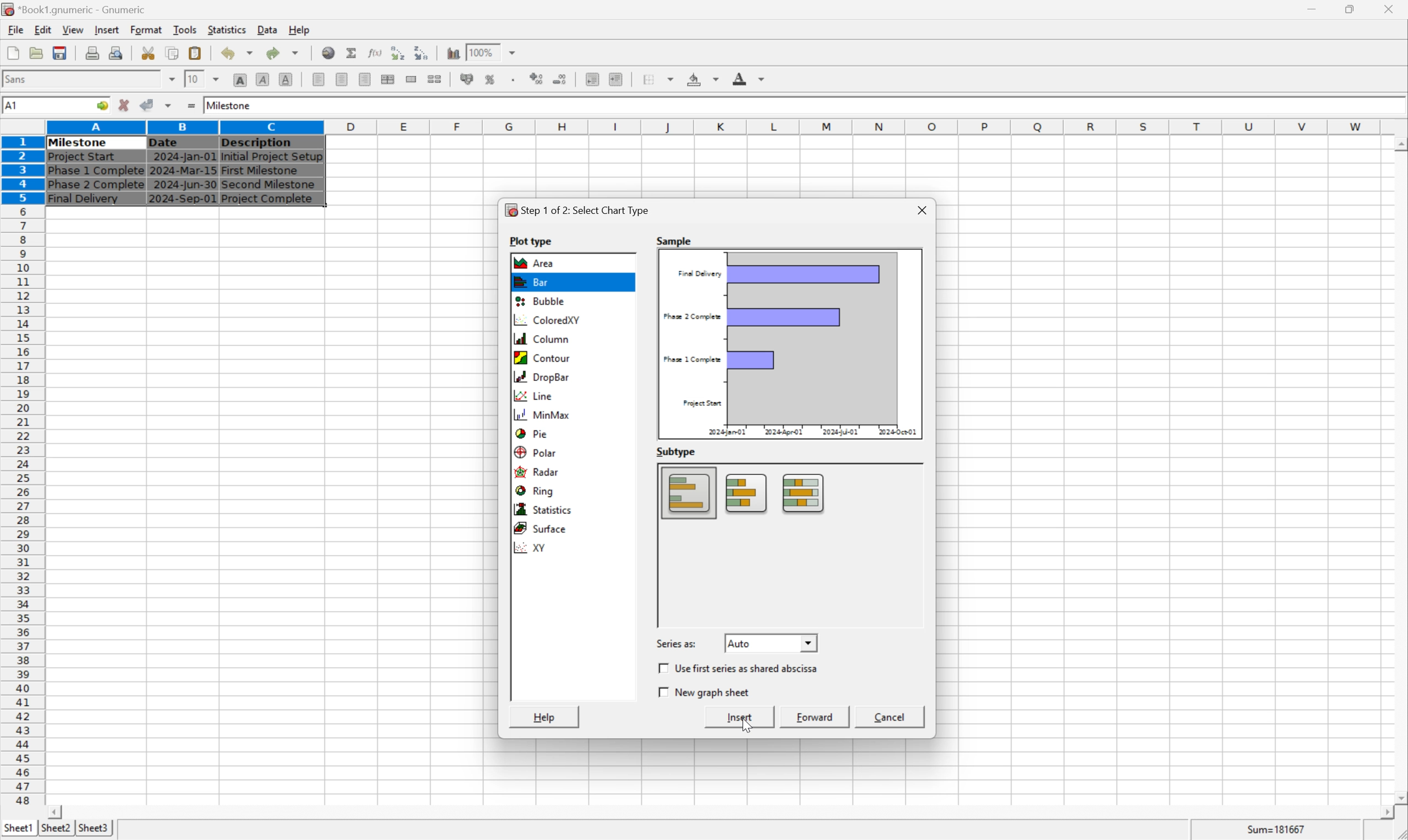  Describe the element at coordinates (534, 549) in the screenshot. I see `XY` at that location.